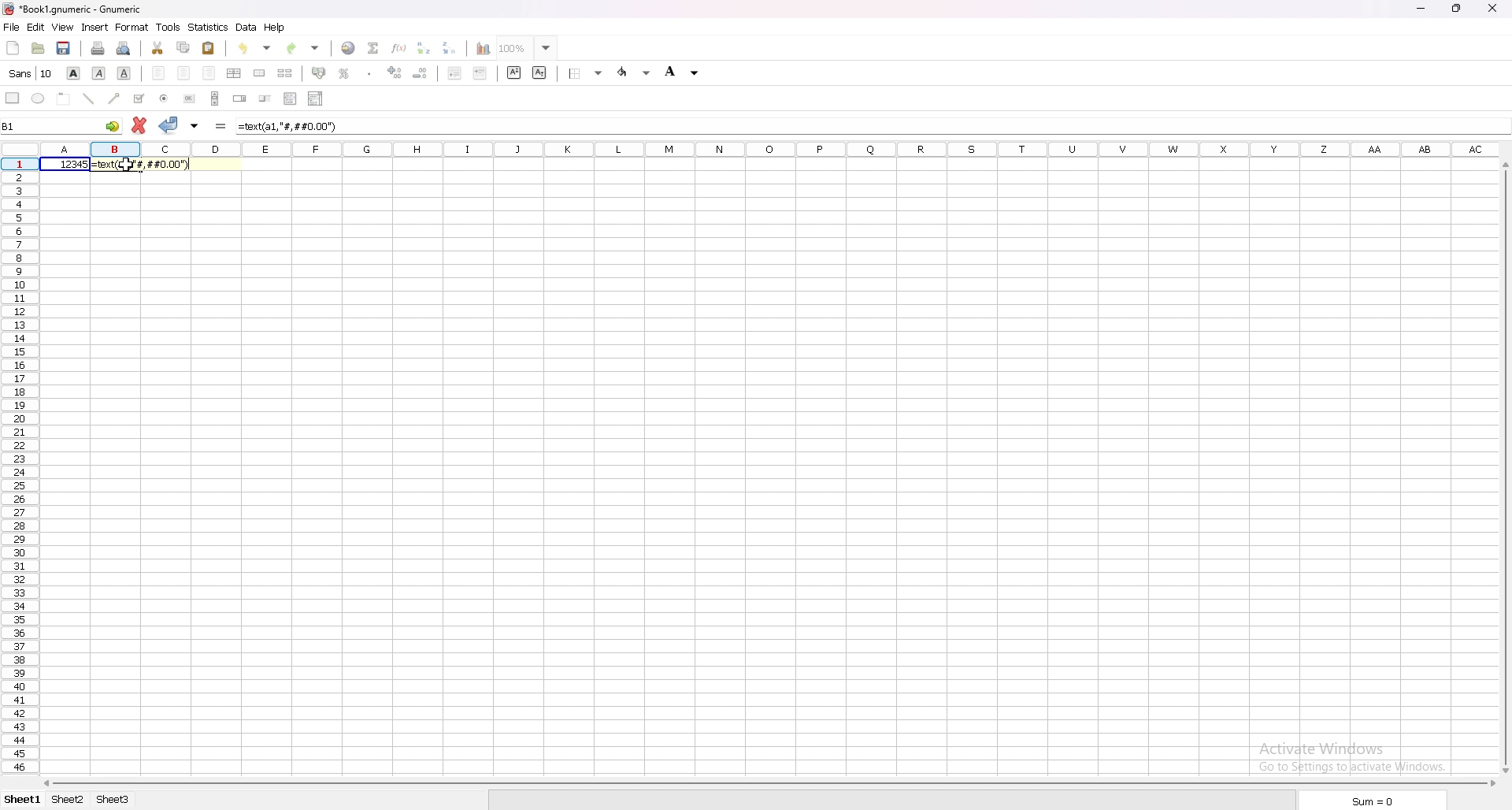  Describe the element at coordinates (276, 28) in the screenshot. I see `help` at that location.